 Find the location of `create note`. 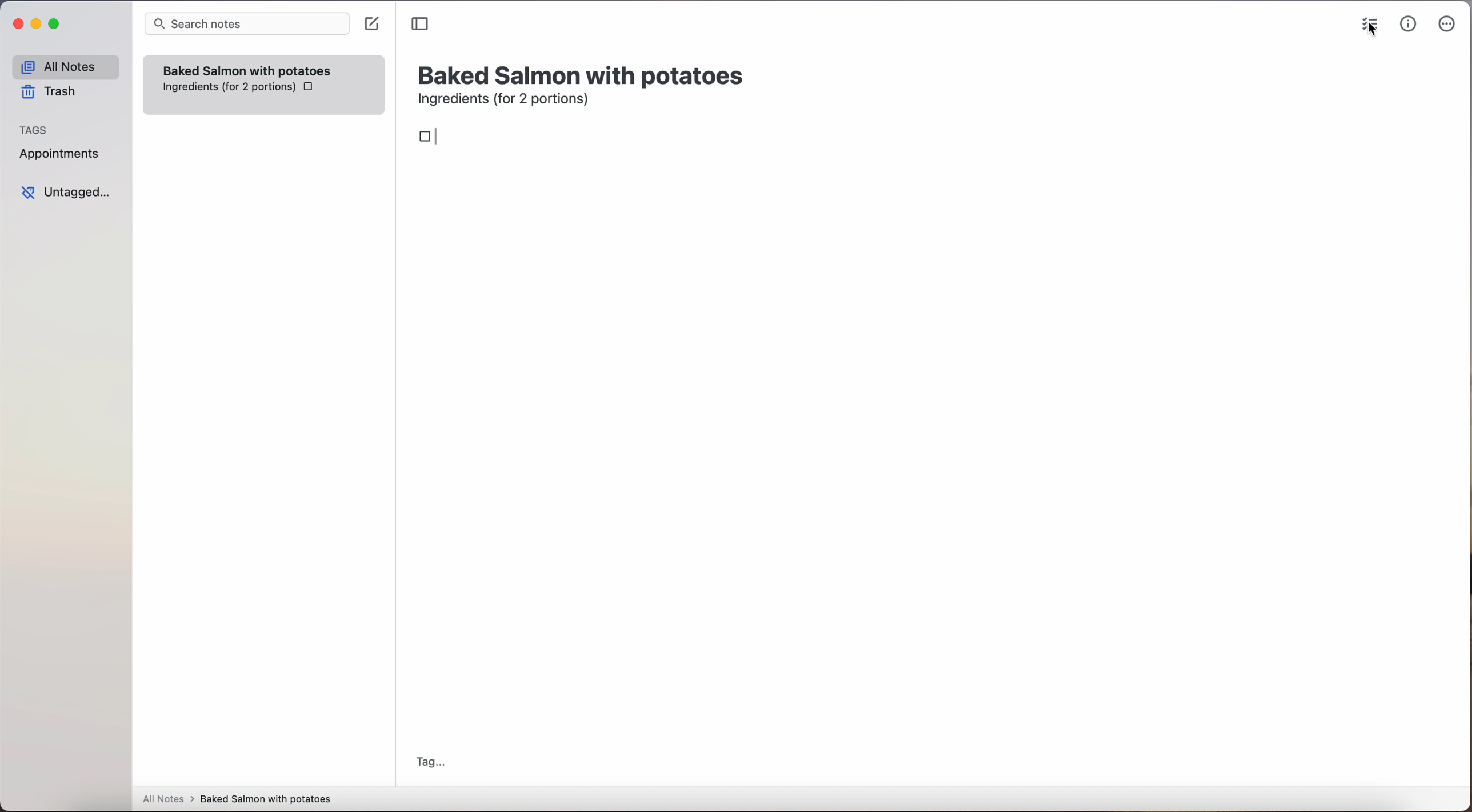

create note is located at coordinates (371, 24).